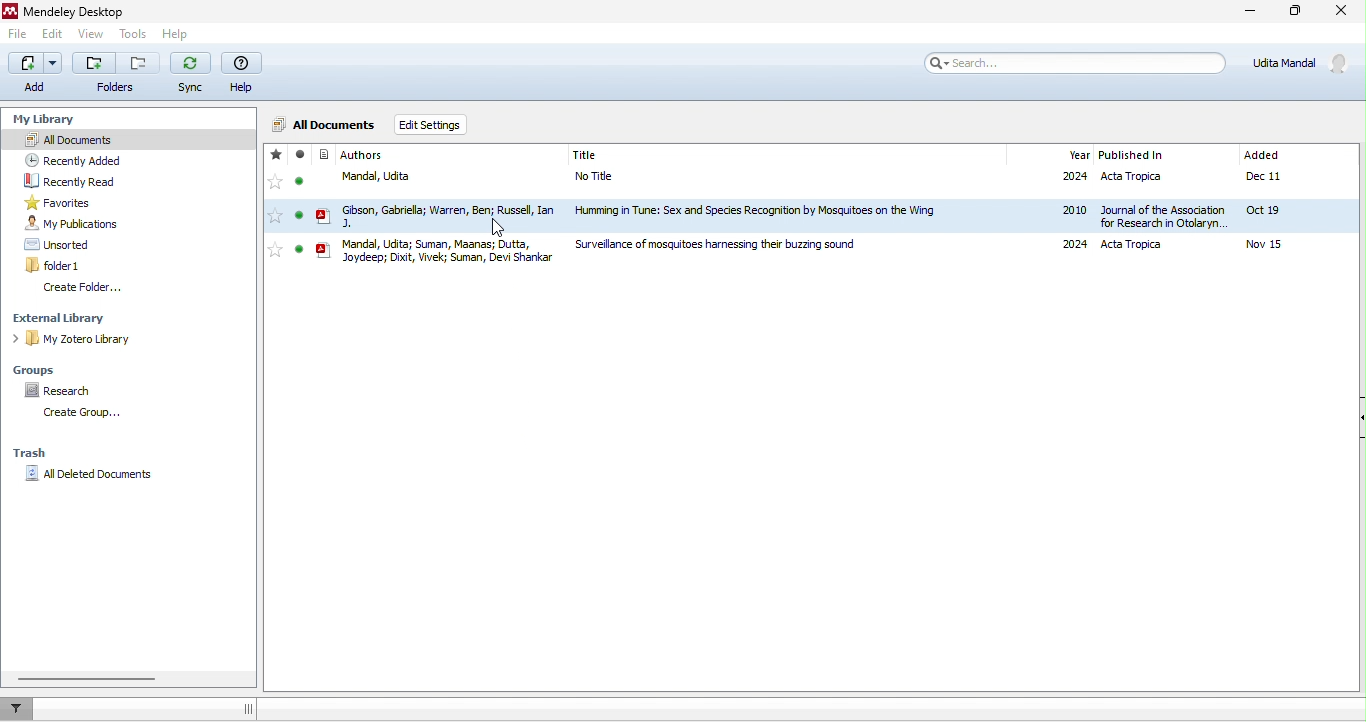  I want to click on help, so click(178, 34).